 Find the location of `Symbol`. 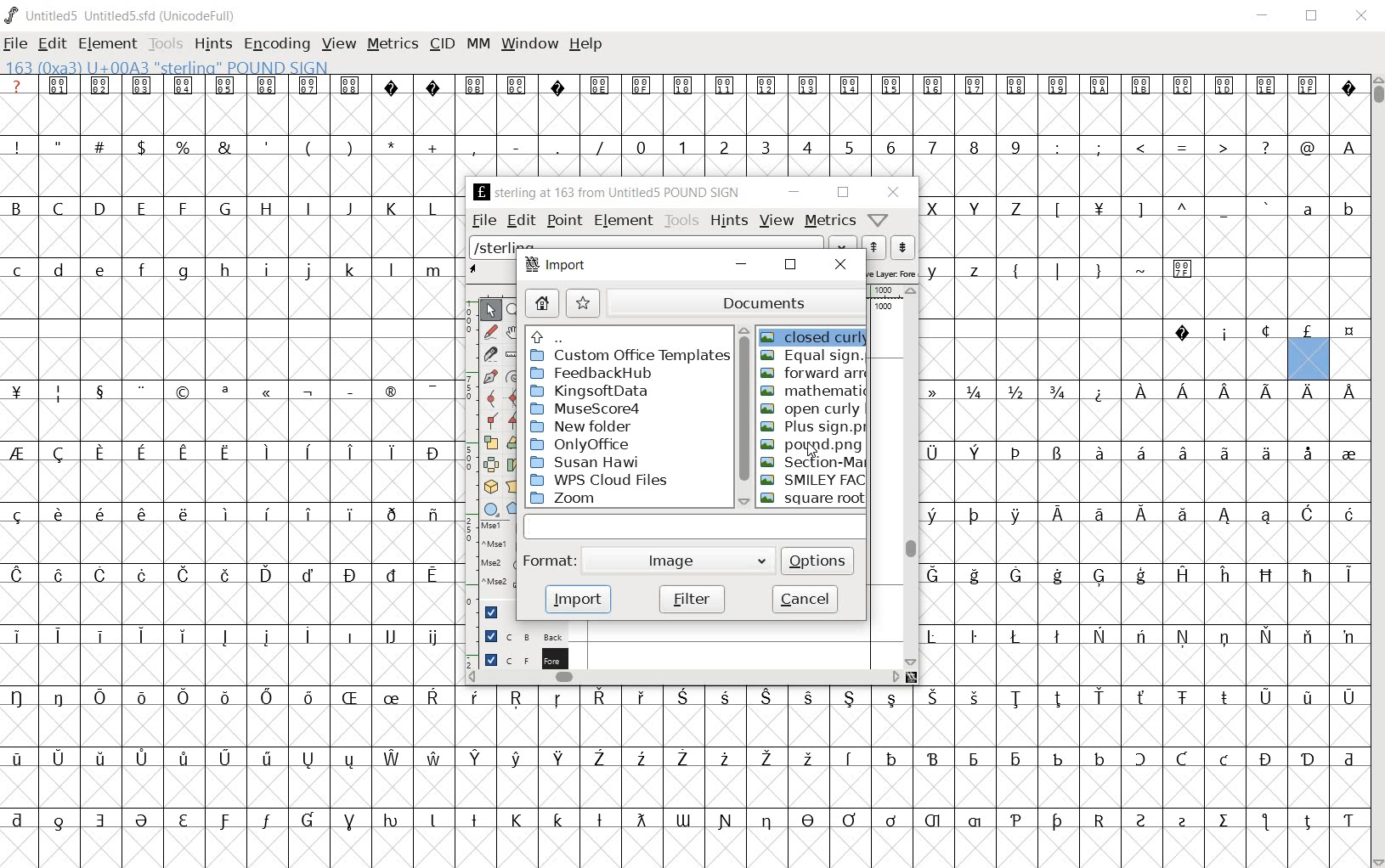

Symbol is located at coordinates (100, 575).